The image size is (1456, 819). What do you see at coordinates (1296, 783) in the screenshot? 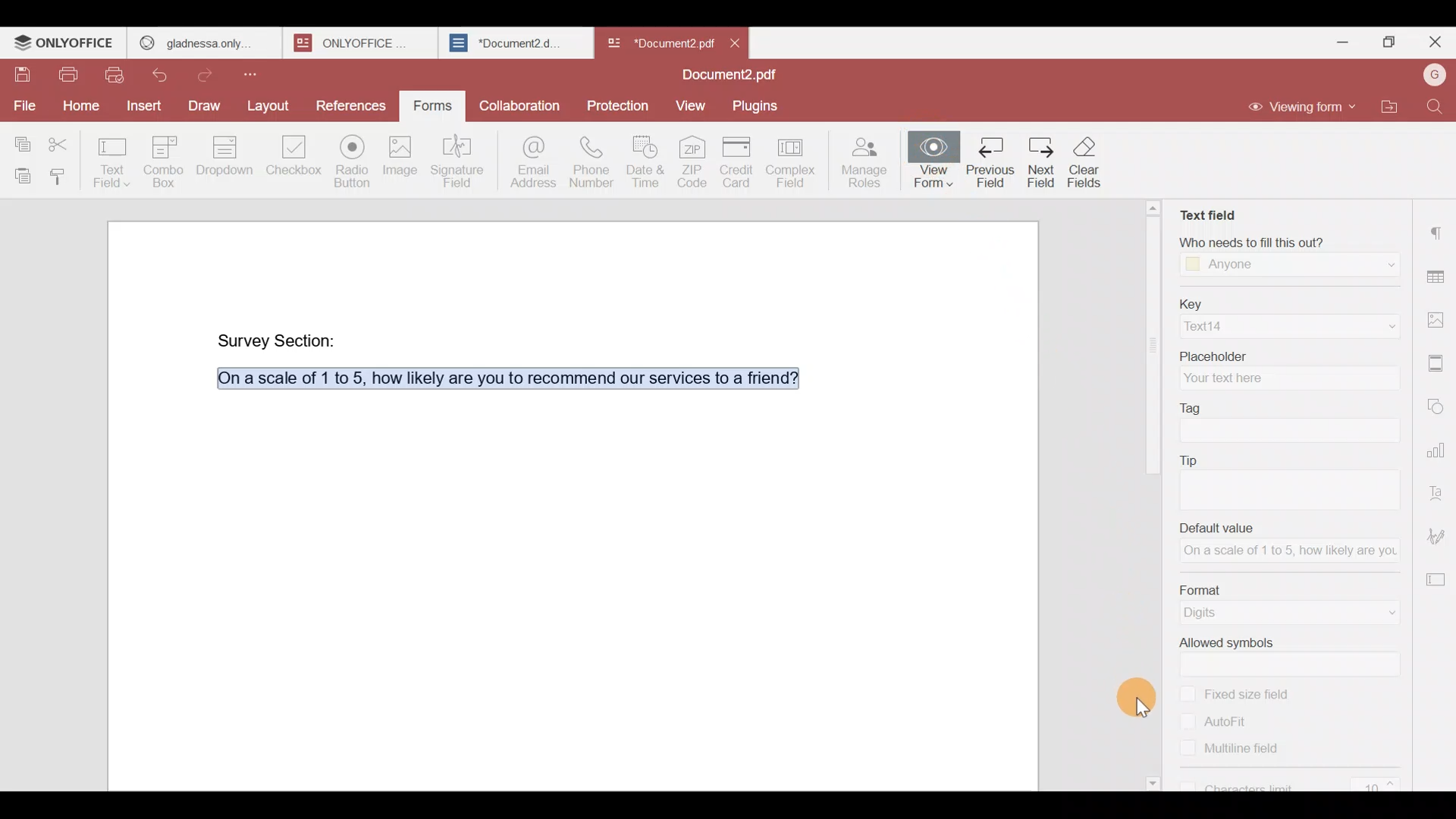
I see `Characters limit` at bounding box center [1296, 783].